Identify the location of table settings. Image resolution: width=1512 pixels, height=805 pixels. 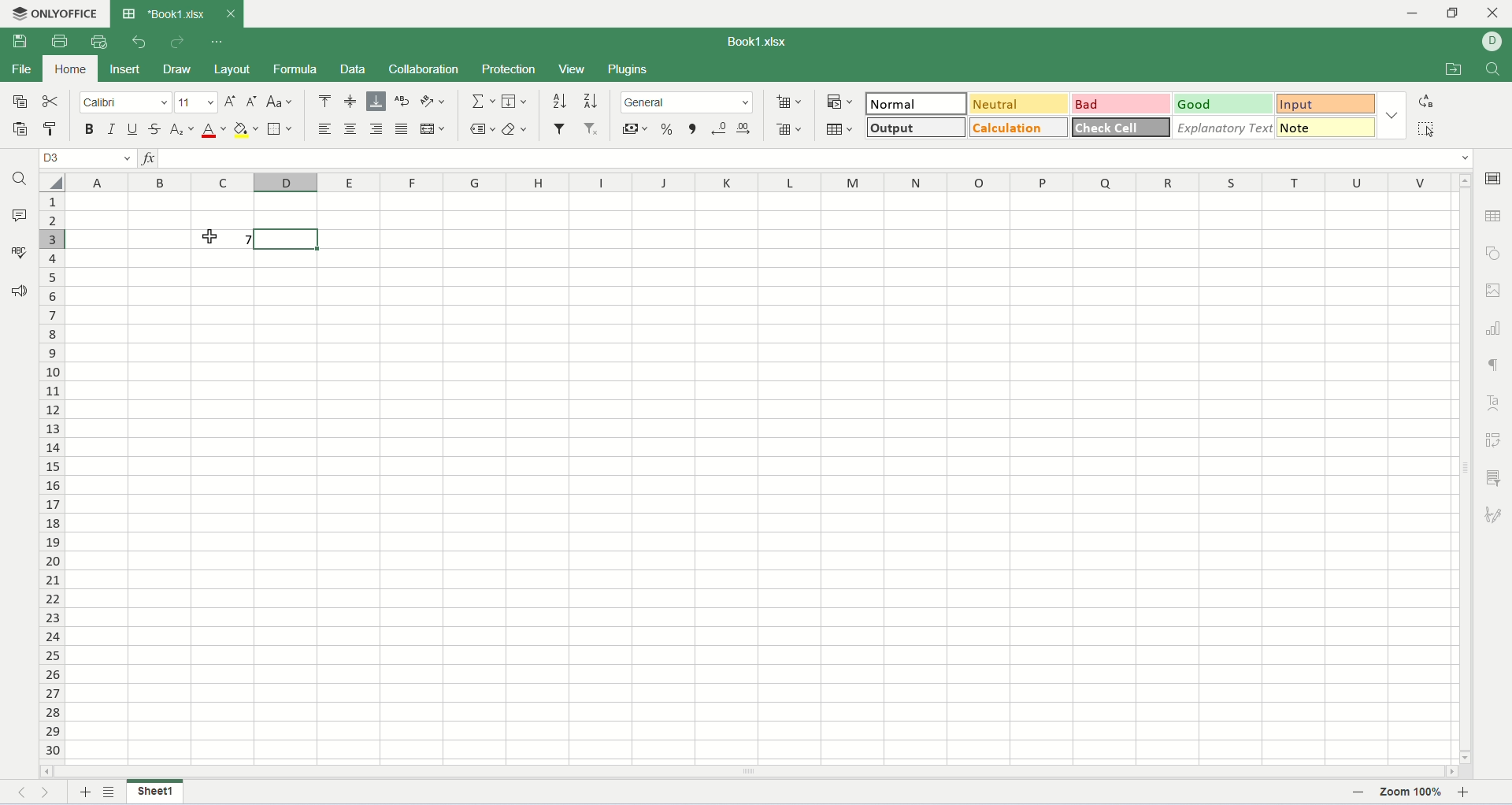
(1496, 218).